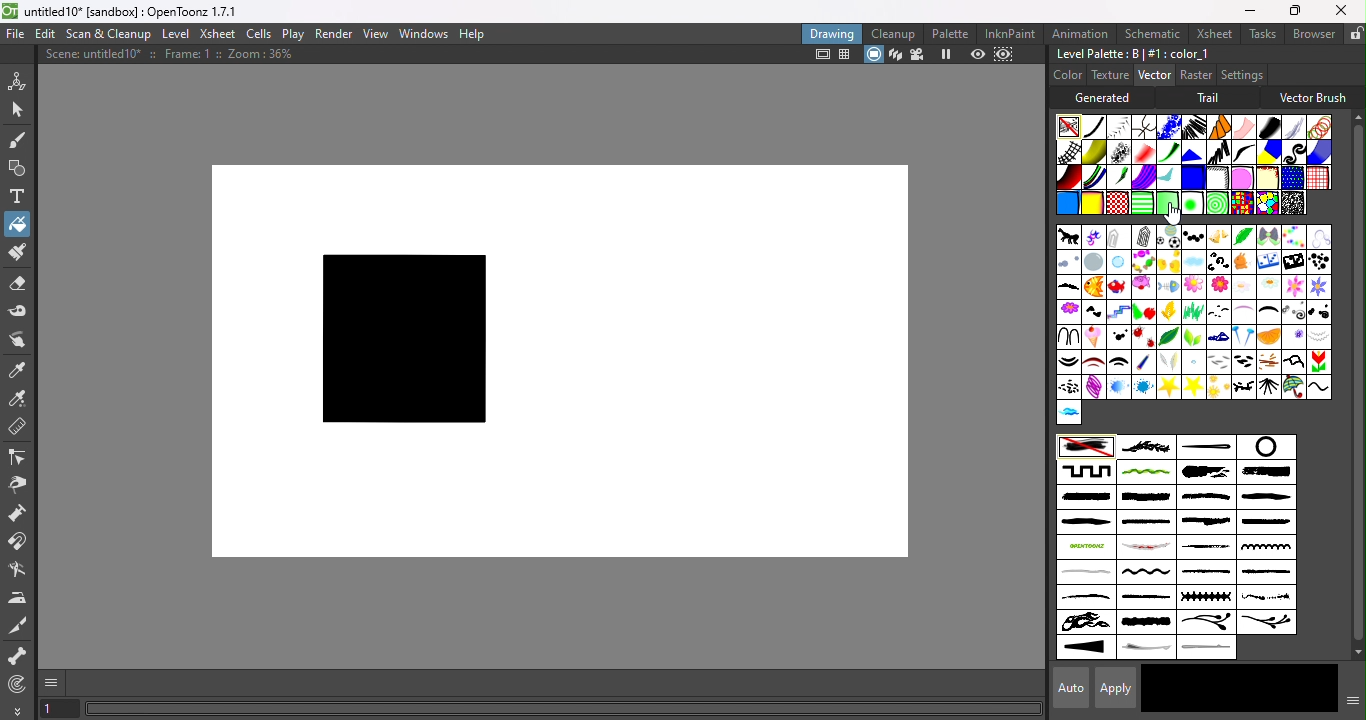 This screenshot has height=720, width=1366. What do you see at coordinates (1318, 177) in the screenshot?
I see `Square` at bounding box center [1318, 177].